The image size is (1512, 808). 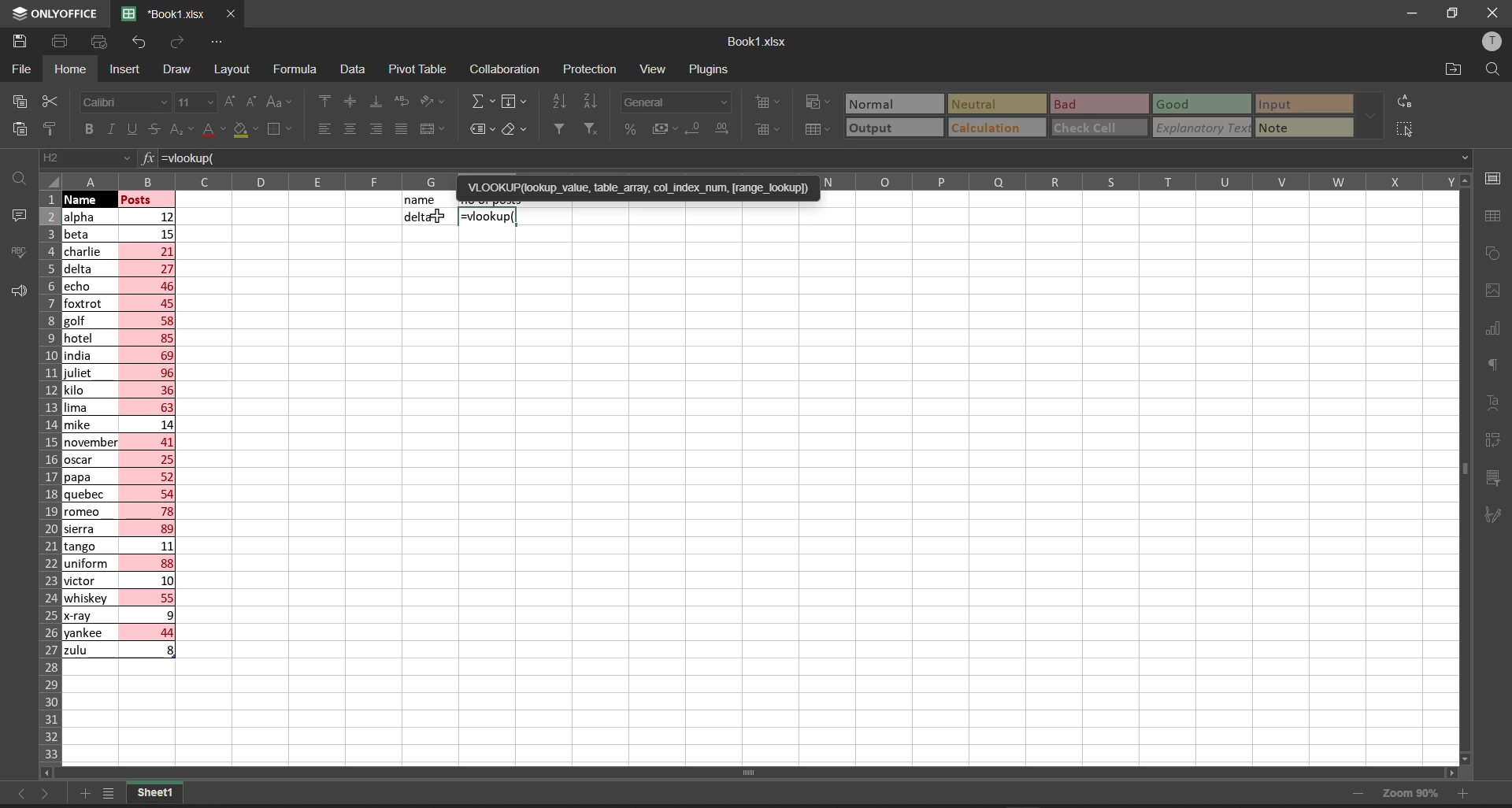 I want to click on zoom in, so click(x=1466, y=795).